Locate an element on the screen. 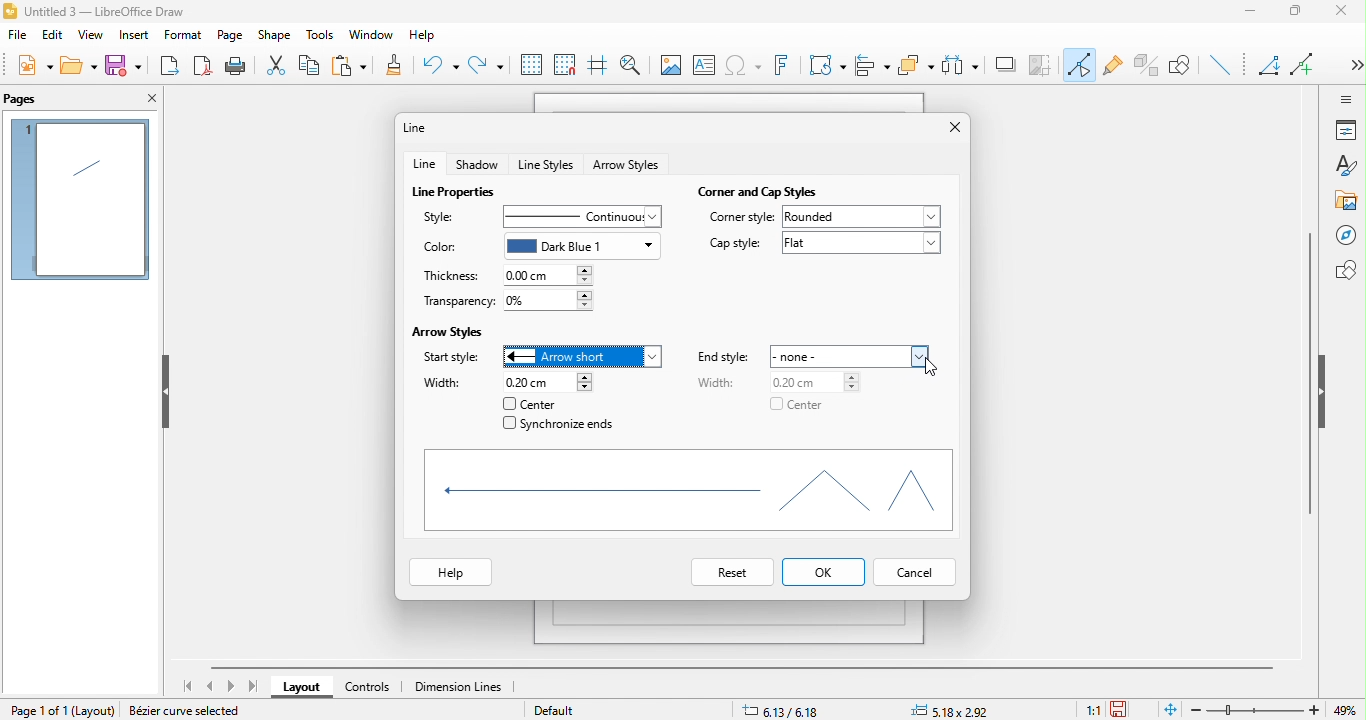 The height and width of the screenshot is (720, 1366). image is located at coordinates (668, 64).